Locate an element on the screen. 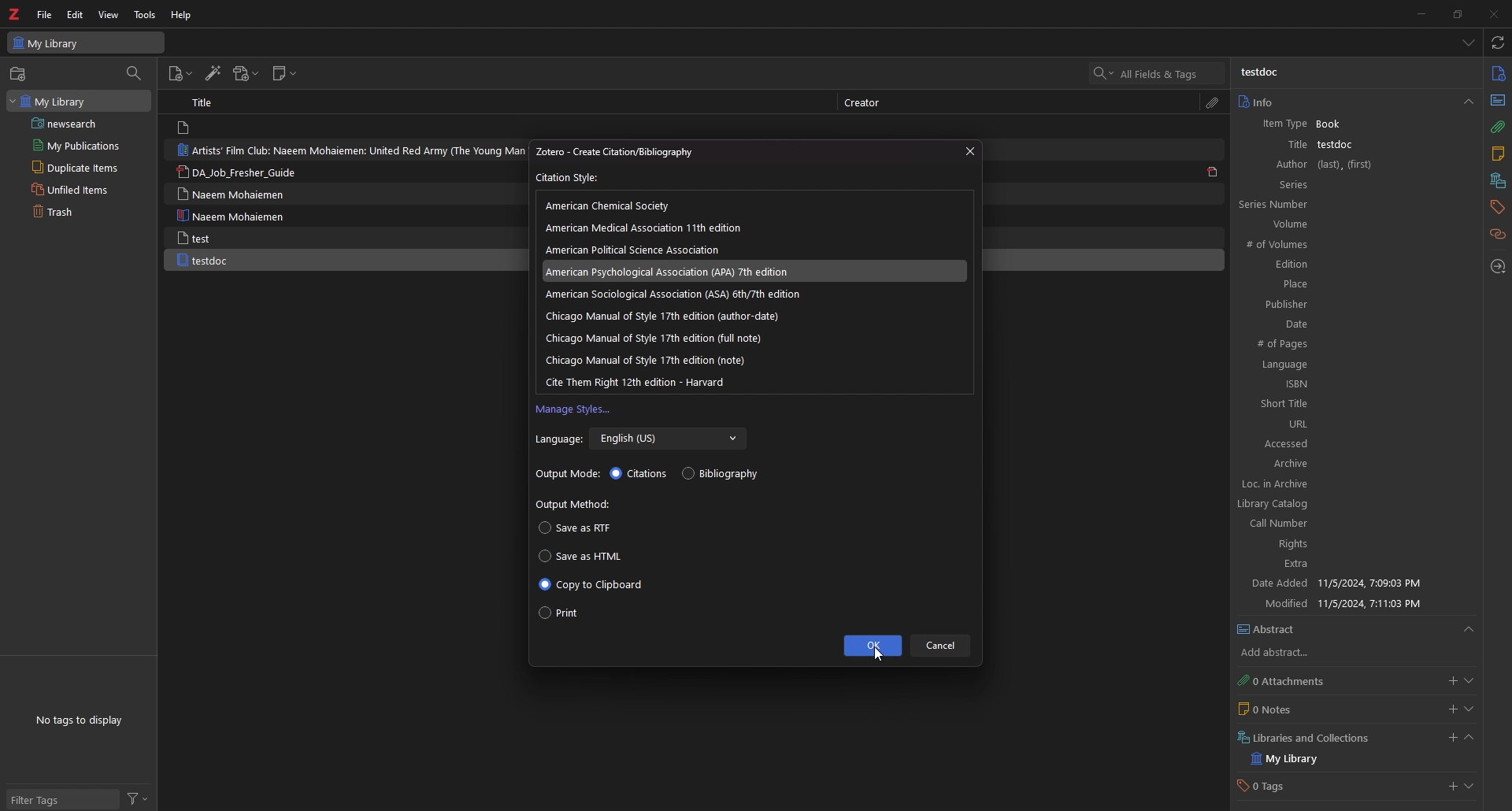  Edition is located at coordinates (1344, 265).